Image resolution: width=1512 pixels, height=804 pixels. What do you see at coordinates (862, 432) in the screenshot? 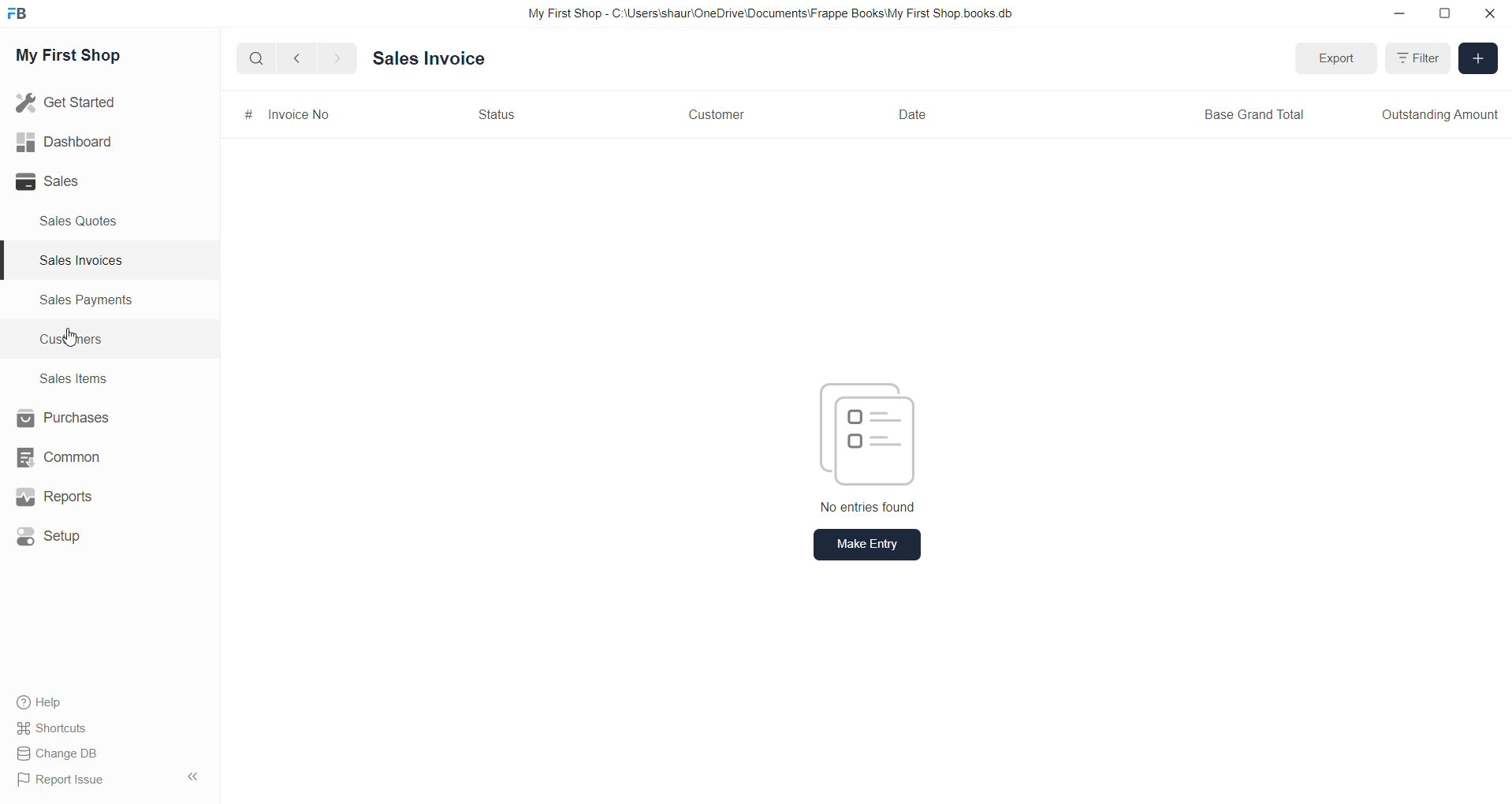
I see `entry icon picture` at bounding box center [862, 432].